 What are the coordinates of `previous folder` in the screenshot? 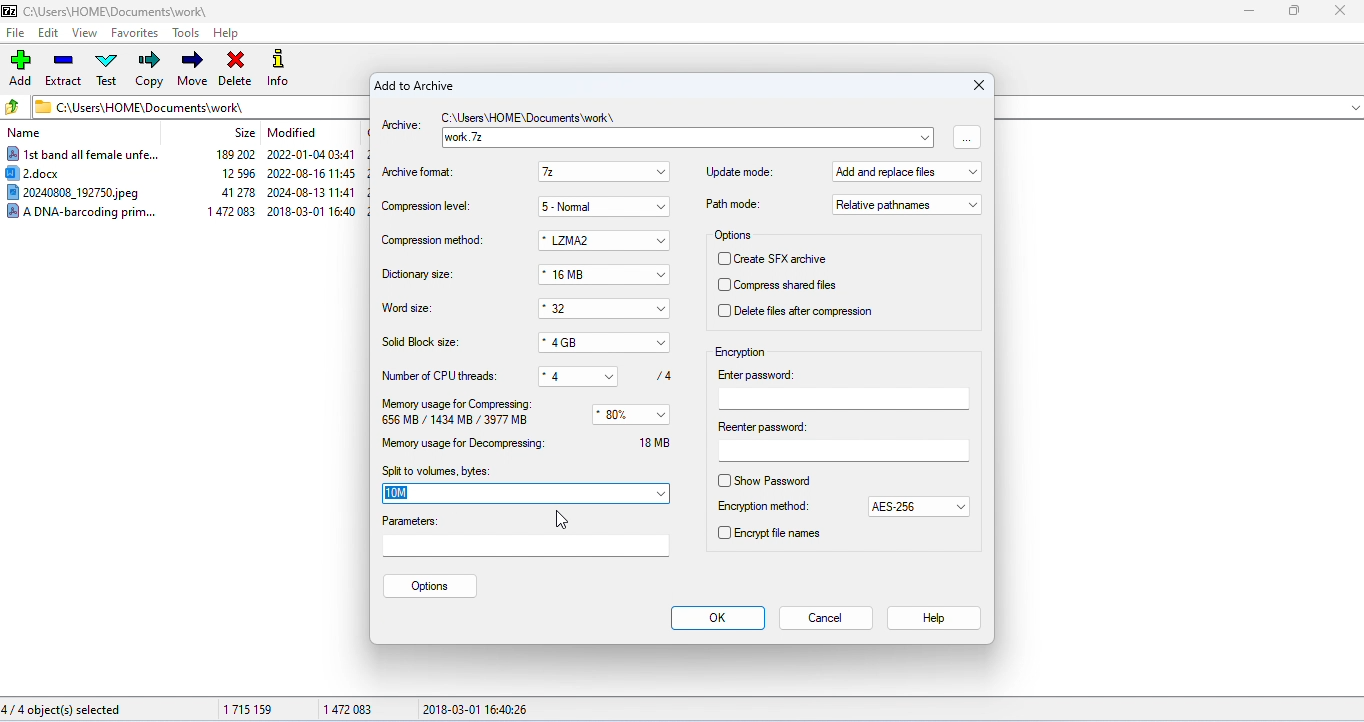 It's located at (14, 106).